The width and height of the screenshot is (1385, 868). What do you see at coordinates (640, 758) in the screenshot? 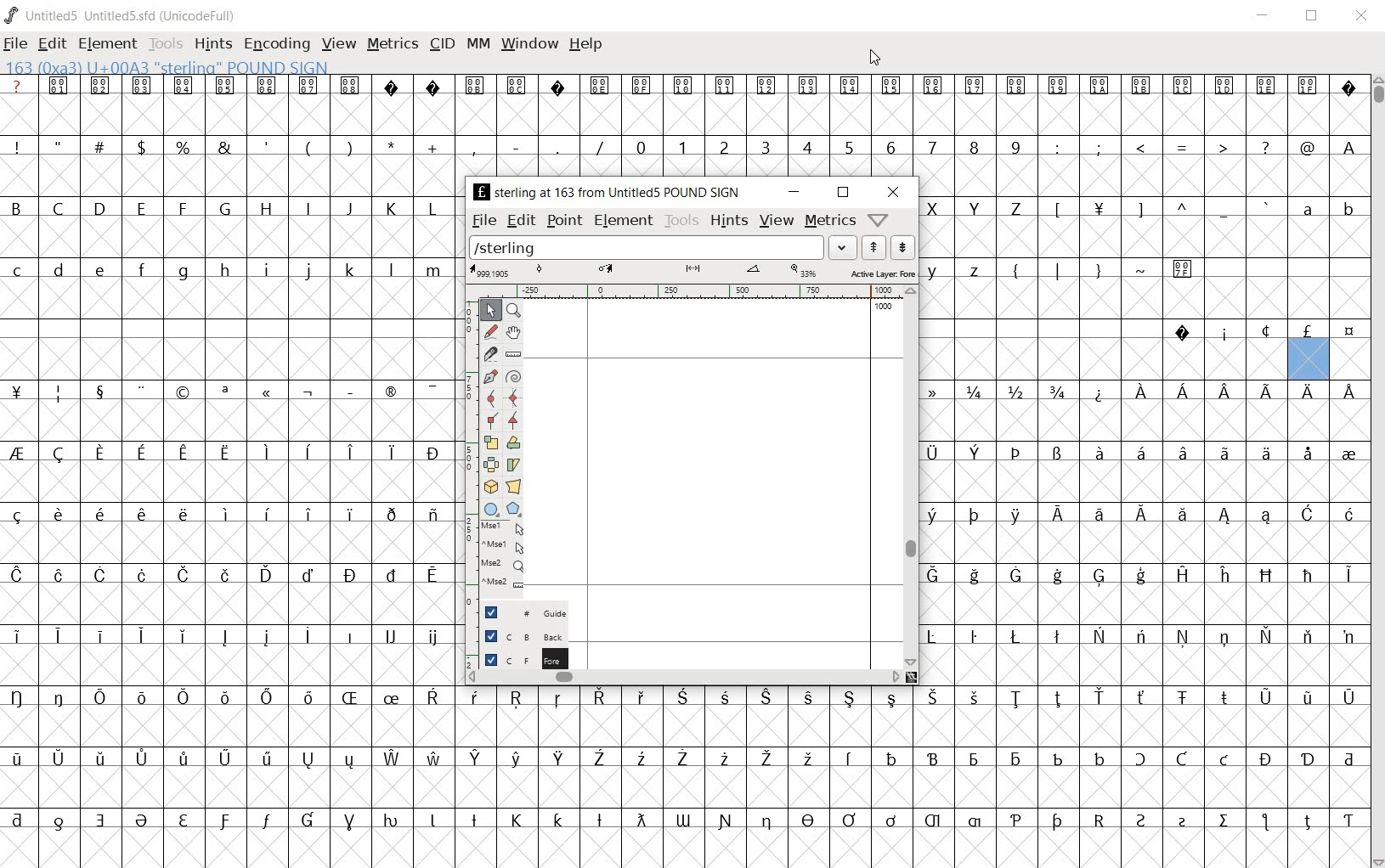
I see `Symbol` at bounding box center [640, 758].